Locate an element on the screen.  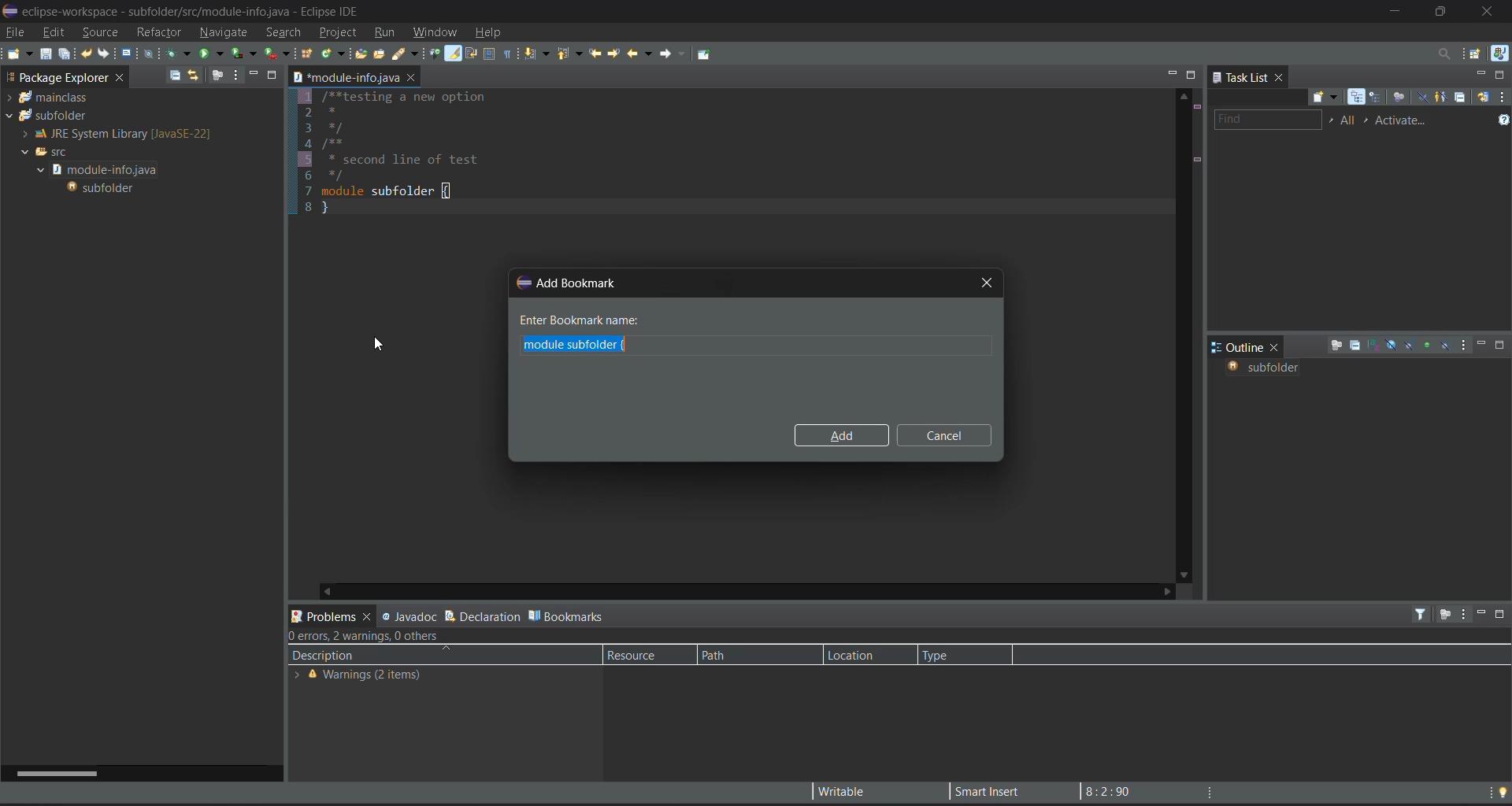
close is located at coordinates (118, 79).